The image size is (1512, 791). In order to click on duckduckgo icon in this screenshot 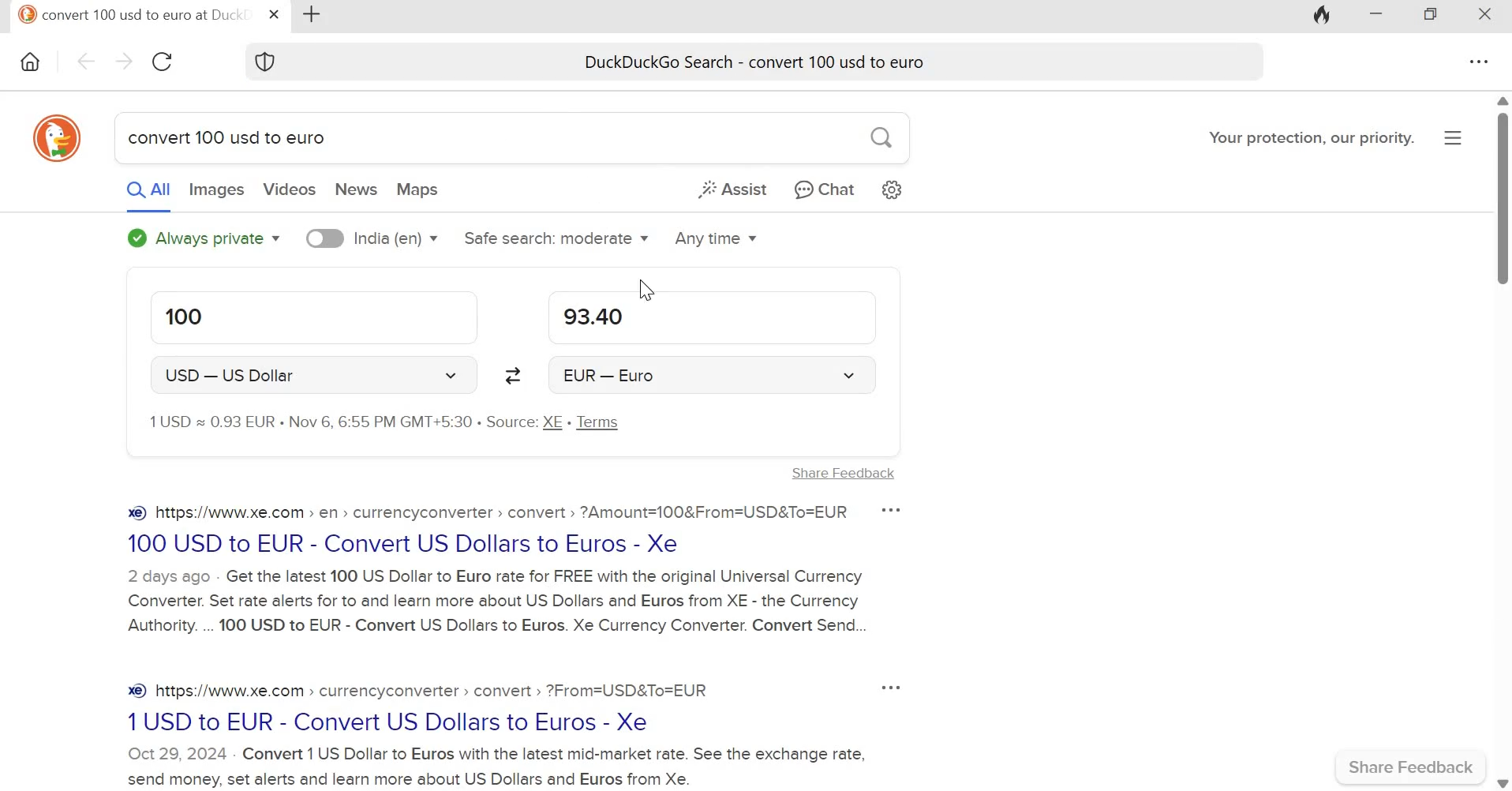, I will do `click(59, 141)`.